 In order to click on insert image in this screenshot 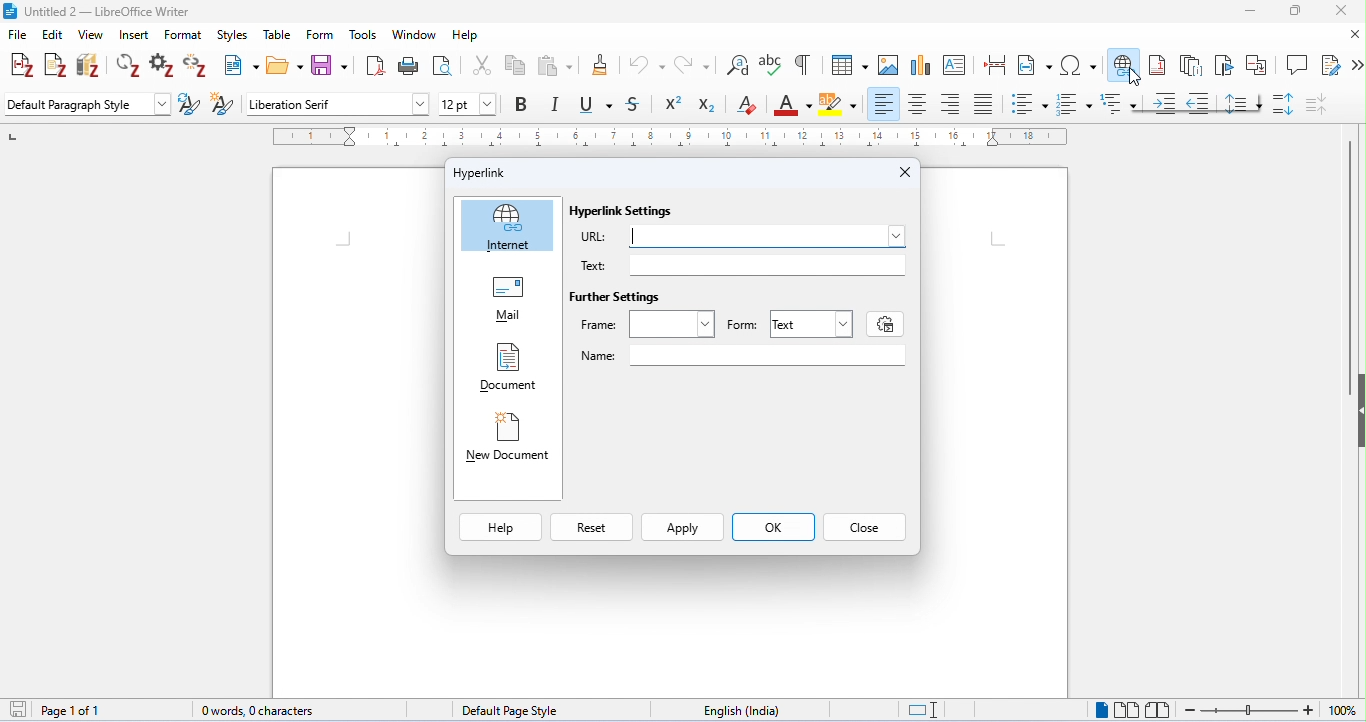, I will do `click(890, 64)`.